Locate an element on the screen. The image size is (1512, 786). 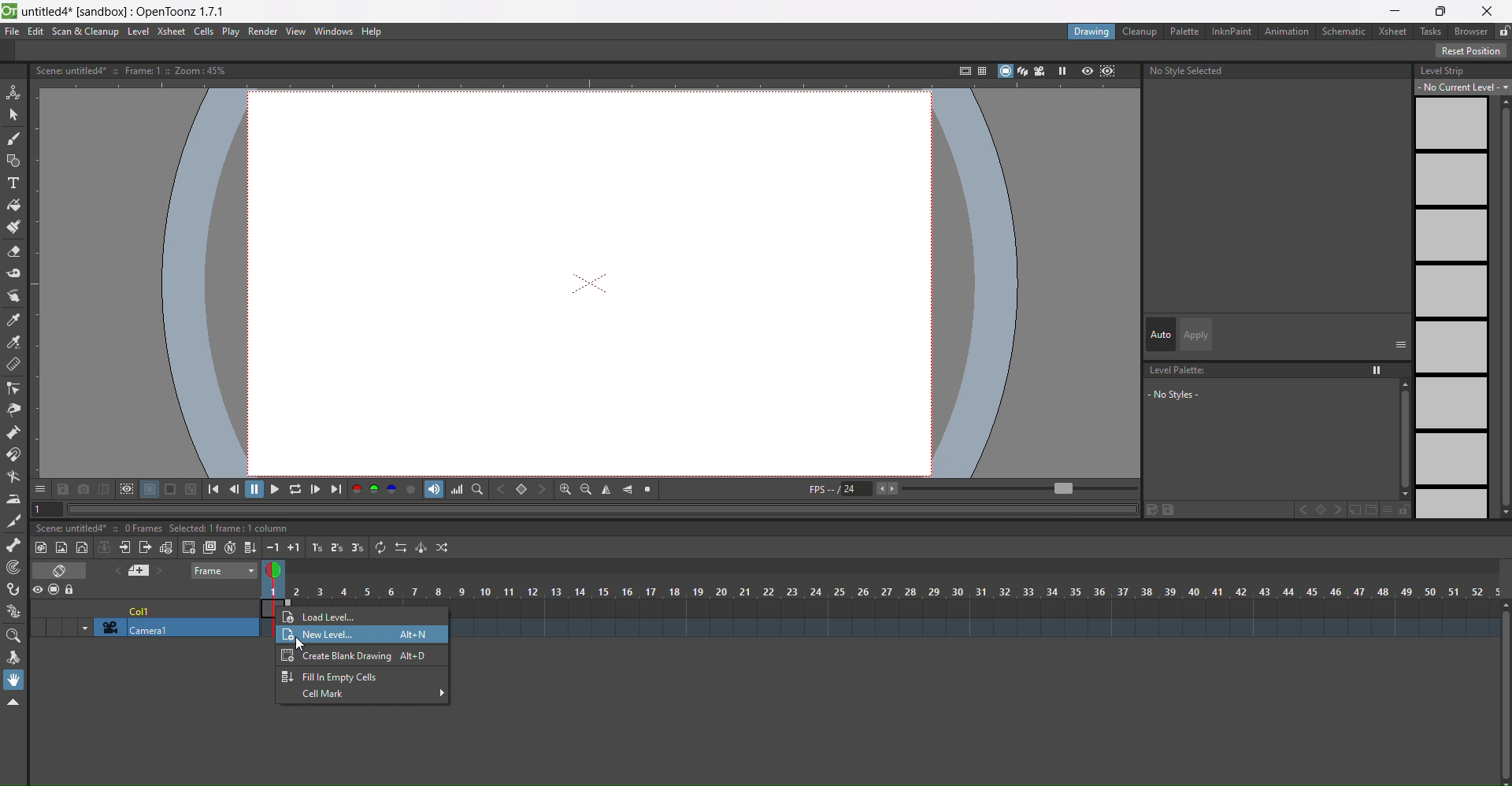
increase step is located at coordinates (315, 547).